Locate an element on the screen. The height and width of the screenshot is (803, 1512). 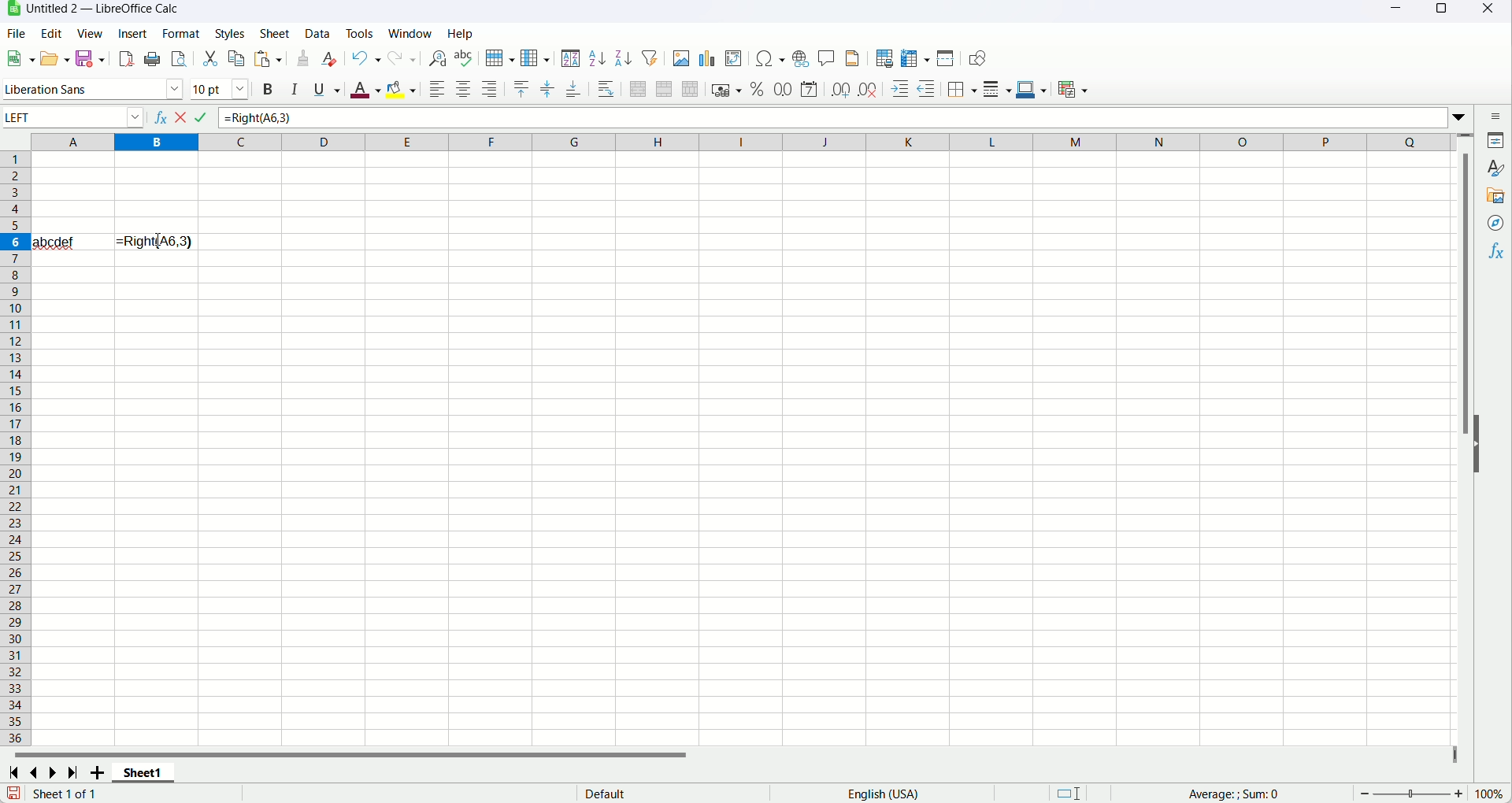
center vertically is located at coordinates (547, 90).